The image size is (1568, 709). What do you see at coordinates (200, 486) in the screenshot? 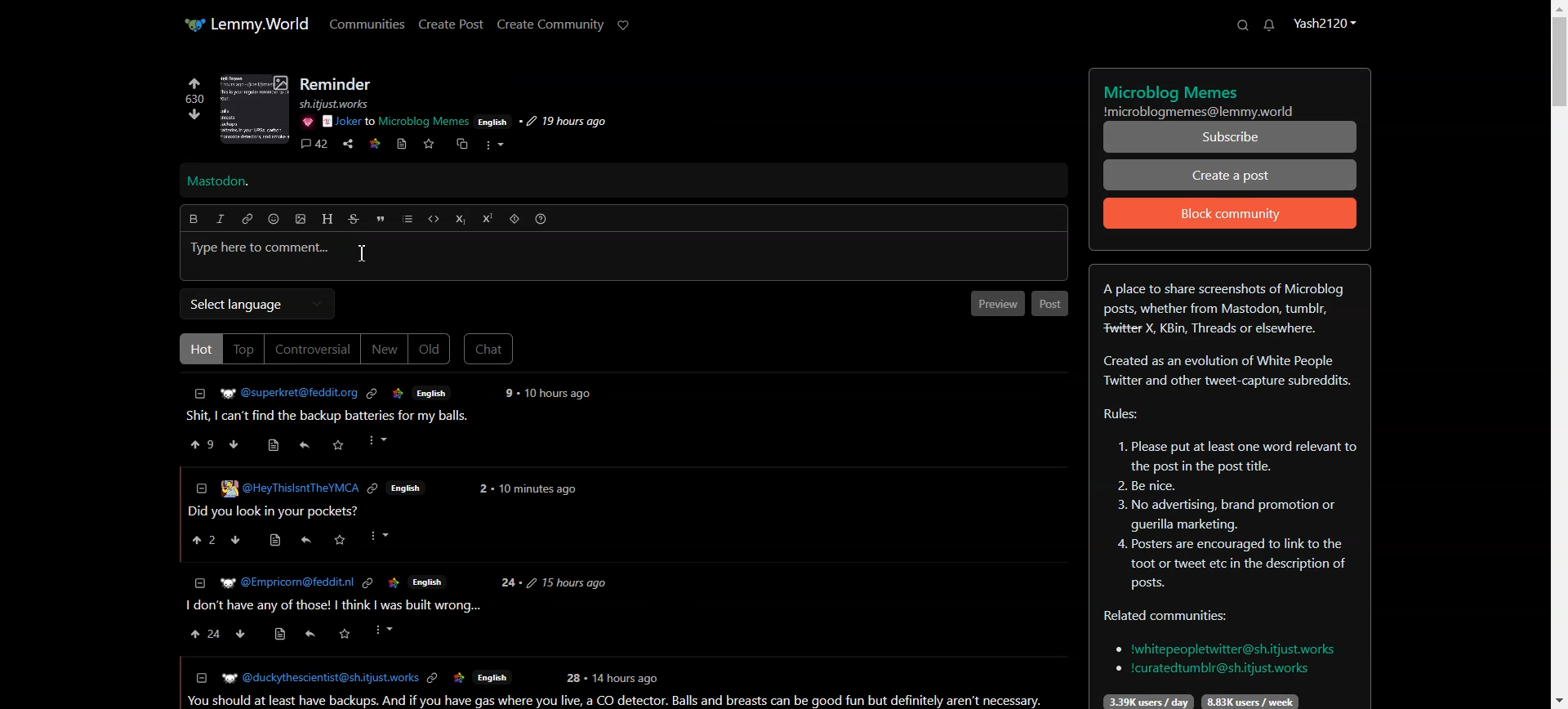
I see `®` at bounding box center [200, 486].